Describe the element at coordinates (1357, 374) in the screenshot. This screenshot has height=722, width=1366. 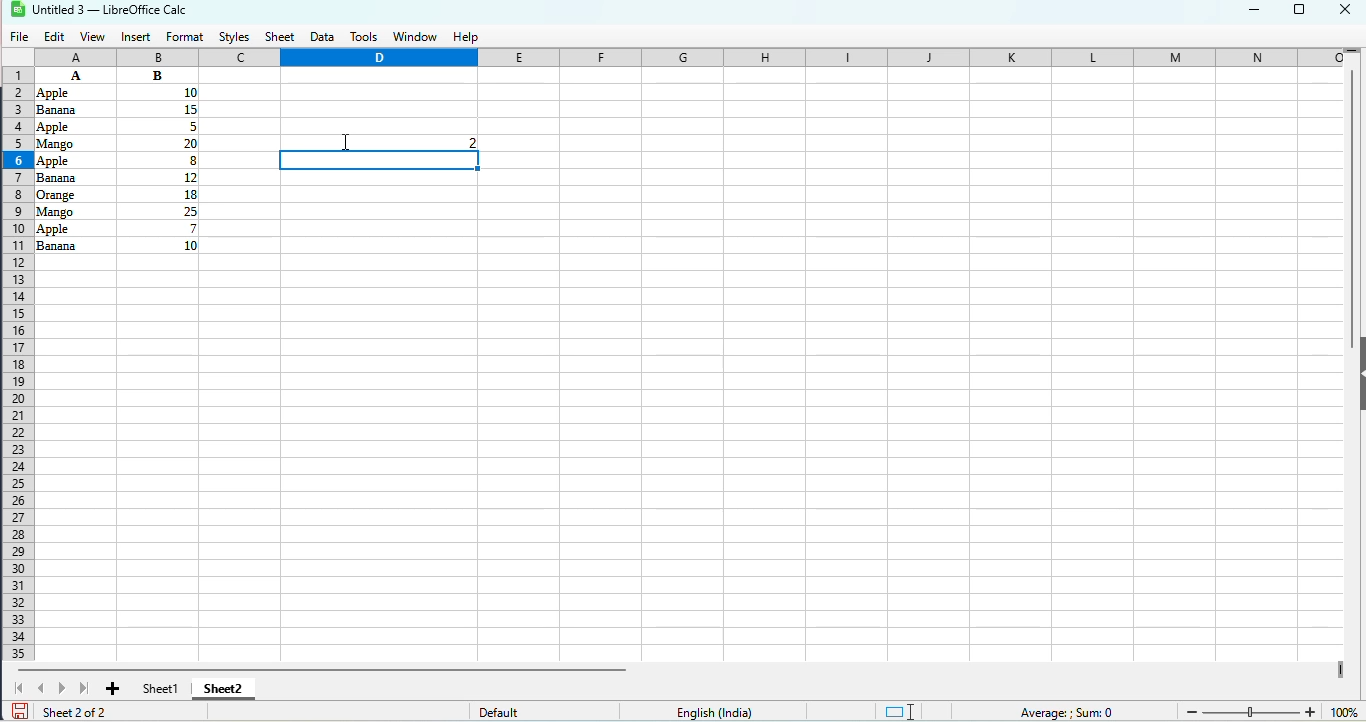
I see `show` at that location.